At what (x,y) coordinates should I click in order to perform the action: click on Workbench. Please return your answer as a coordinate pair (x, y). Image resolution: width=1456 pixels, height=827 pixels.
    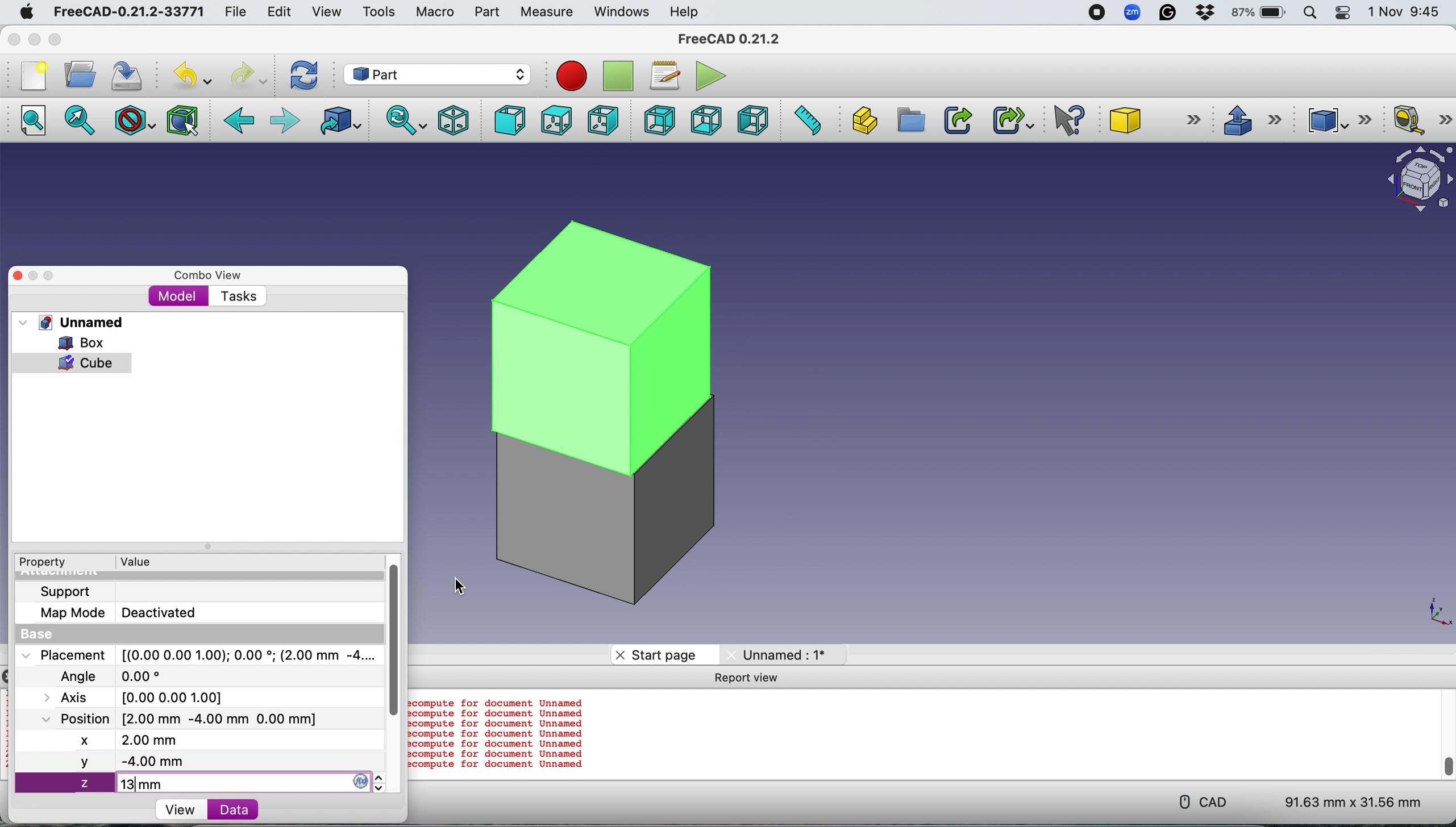
    Looking at the image, I should click on (436, 73).